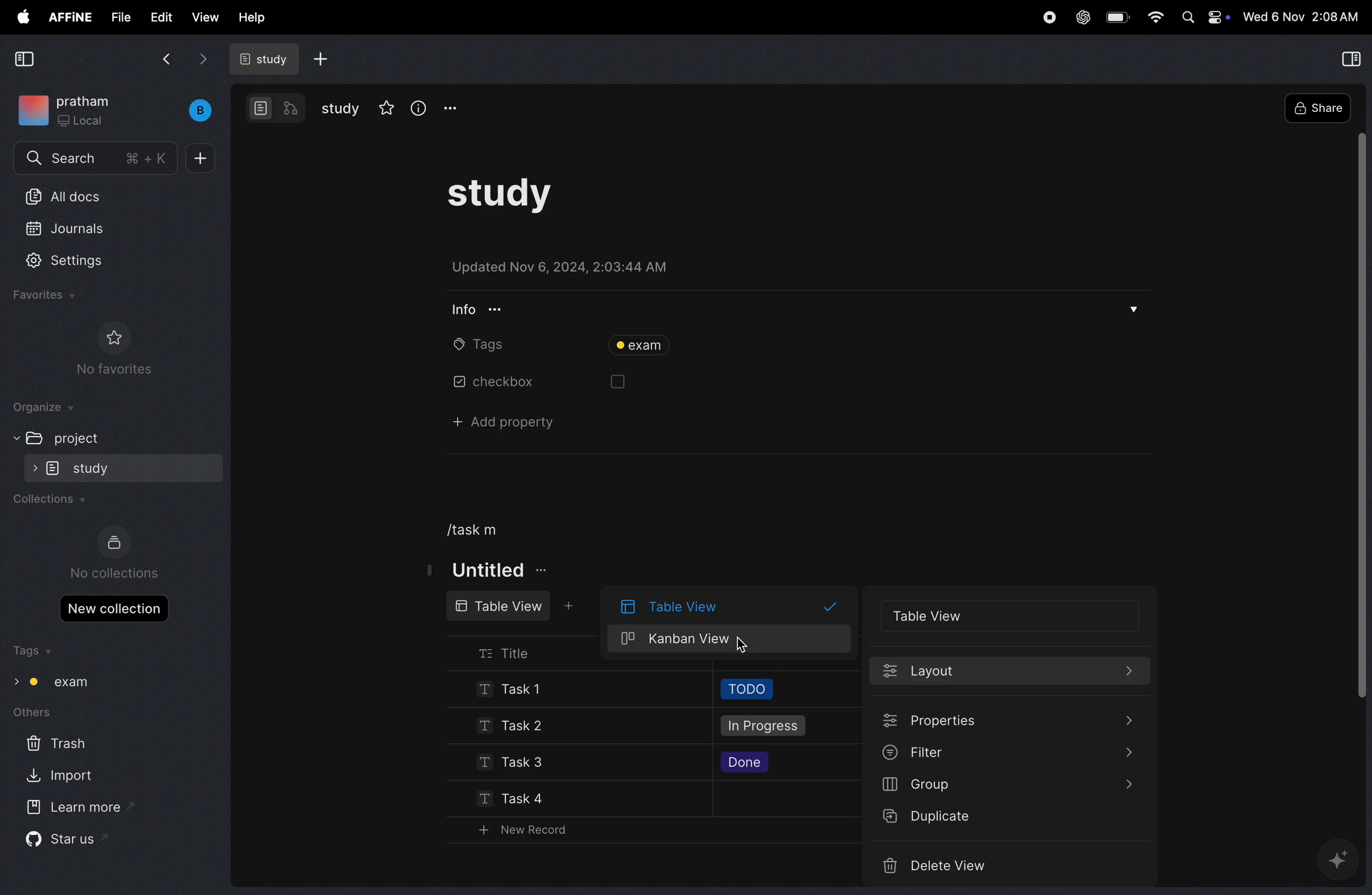 Image resolution: width=1372 pixels, height=895 pixels. Describe the element at coordinates (472, 310) in the screenshot. I see `info` at that location.